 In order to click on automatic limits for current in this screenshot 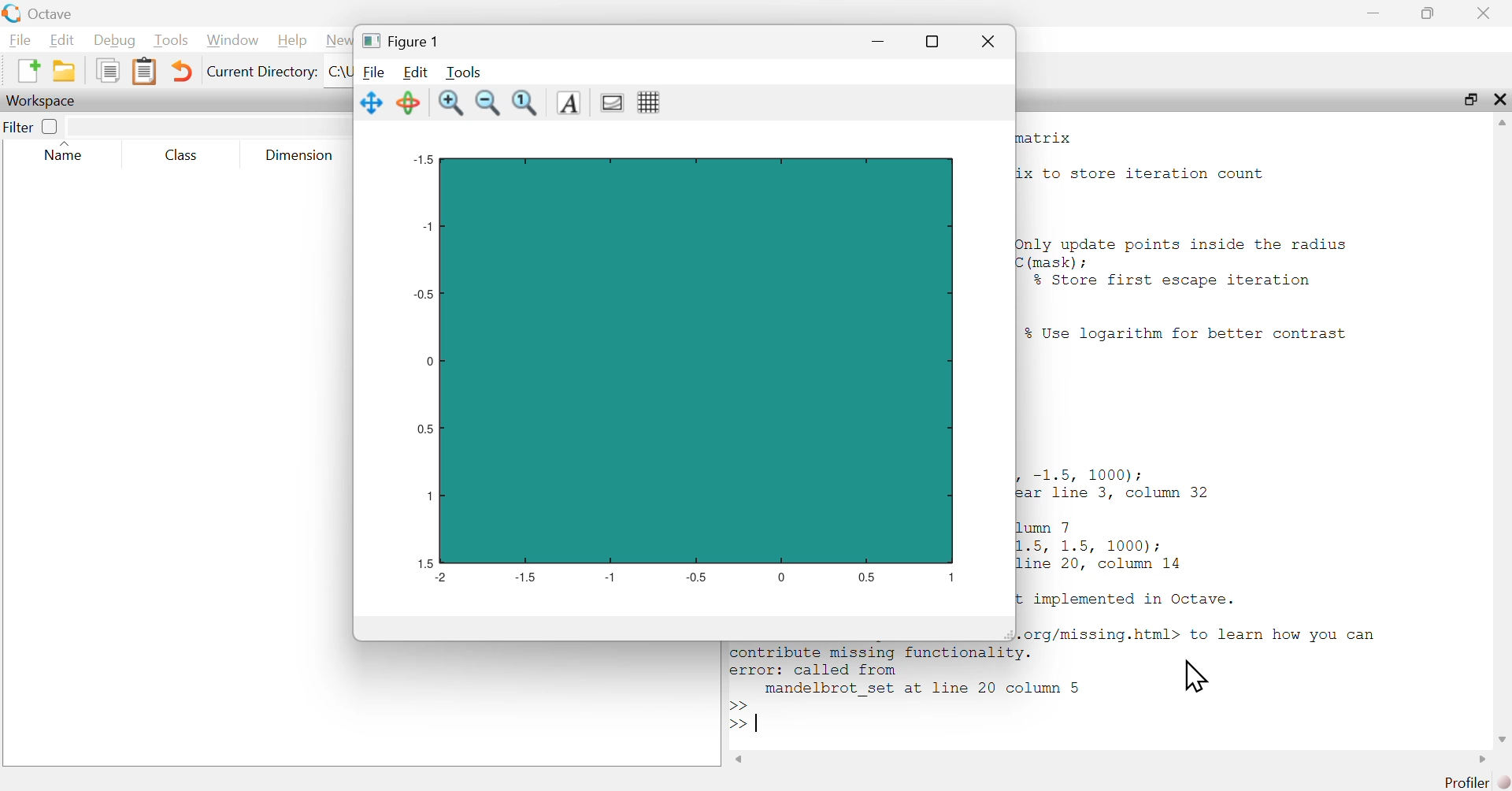, I will do `click(526, 104)`.